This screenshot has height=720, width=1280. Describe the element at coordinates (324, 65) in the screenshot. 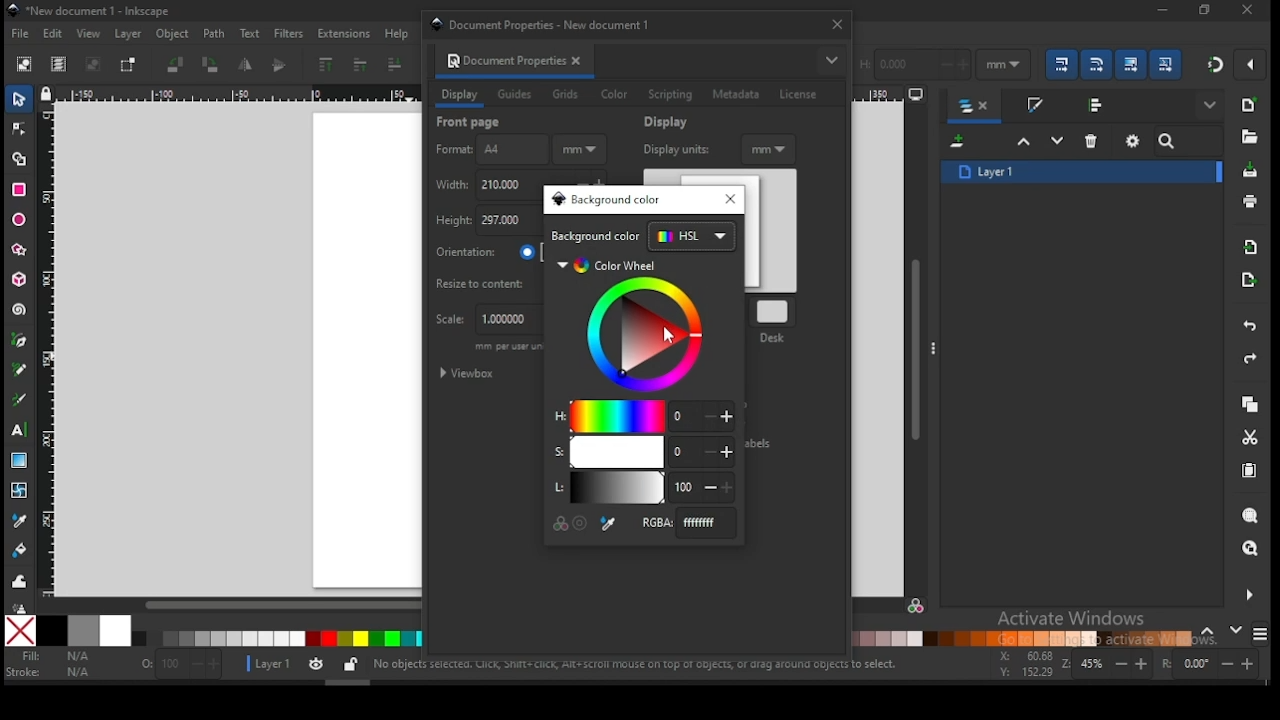

I see `rise to top` at that location.